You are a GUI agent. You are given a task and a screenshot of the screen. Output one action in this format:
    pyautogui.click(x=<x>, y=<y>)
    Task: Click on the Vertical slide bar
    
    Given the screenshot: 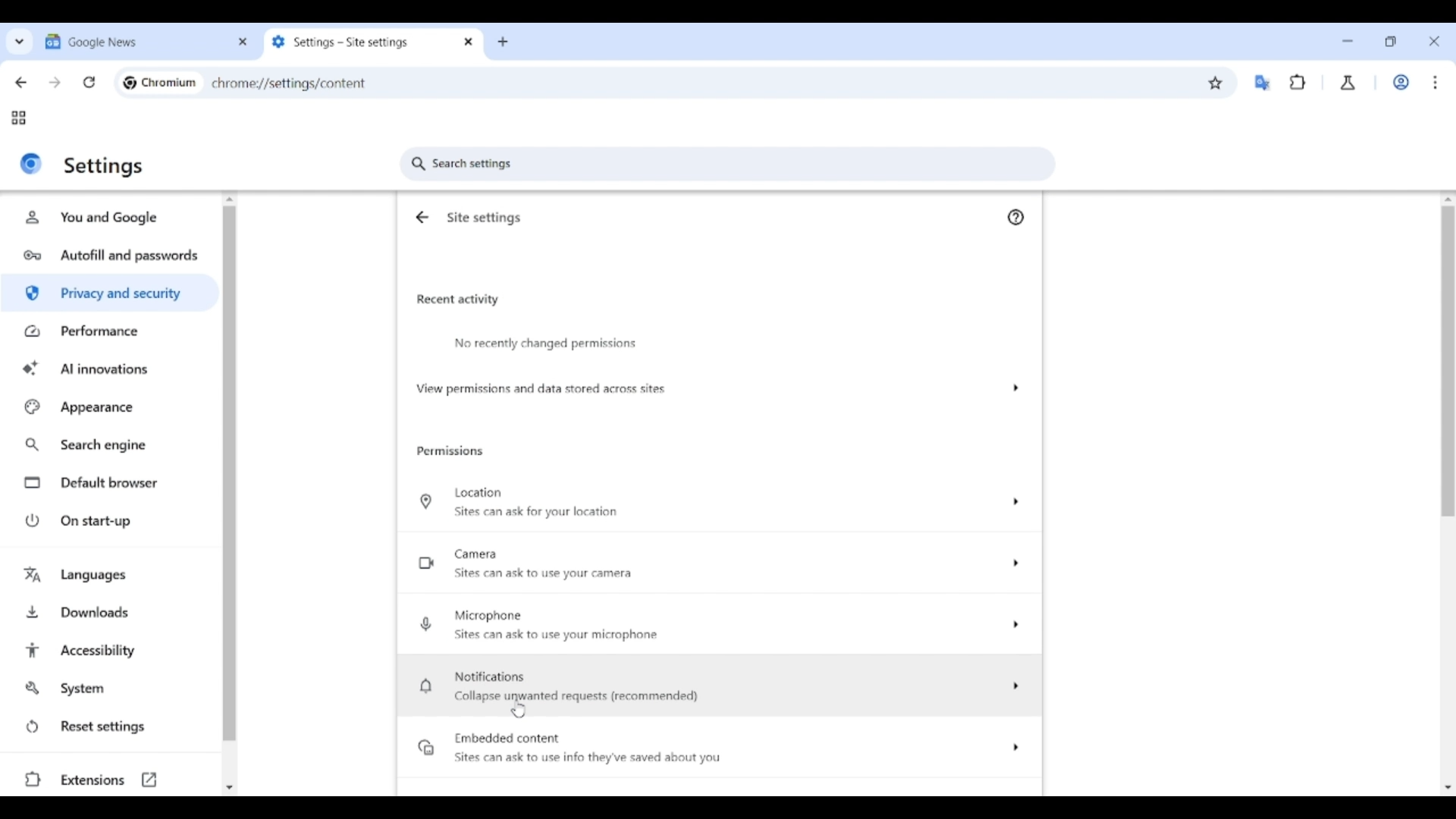 What is the action you would take?
    pyautogui.click(x=1448, y=361)
    